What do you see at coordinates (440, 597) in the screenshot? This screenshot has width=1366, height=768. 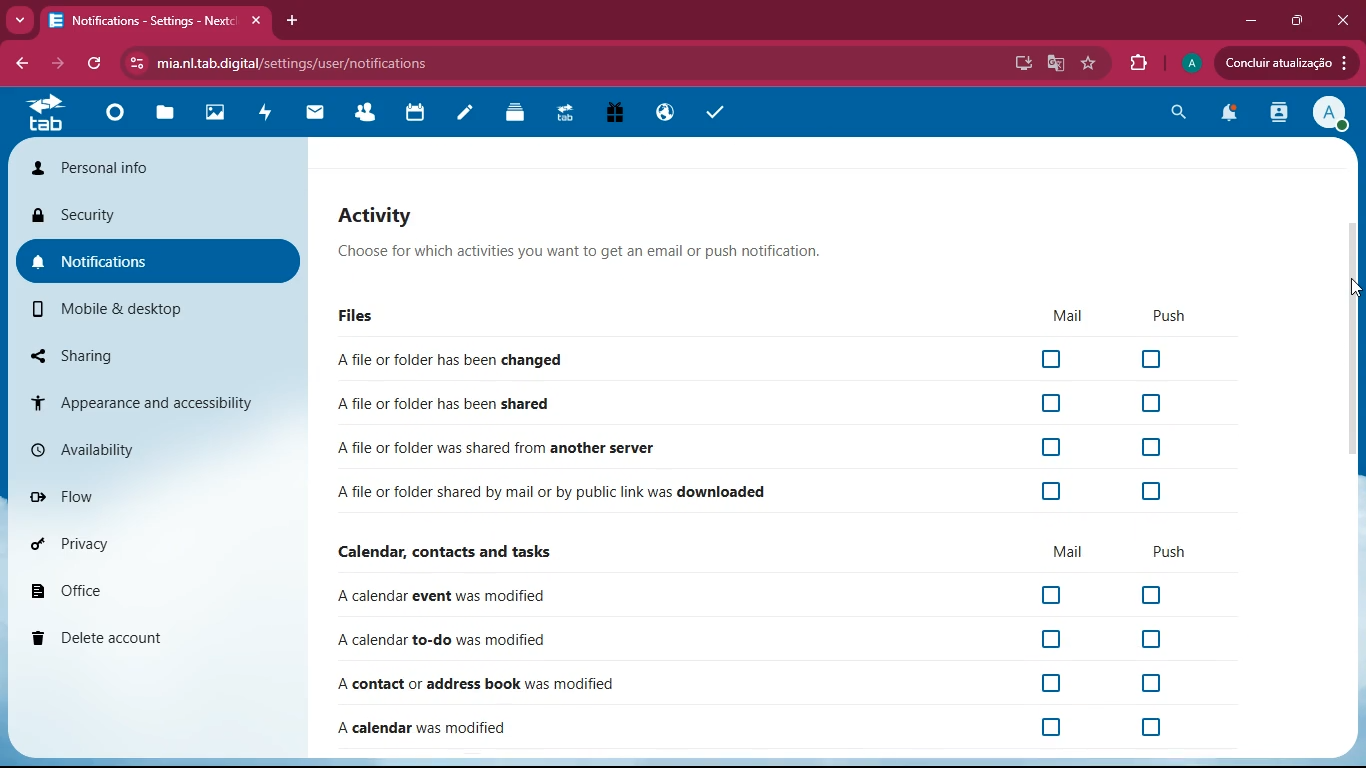 I see `A calendar event was modified` at bounding box center [440, 597].